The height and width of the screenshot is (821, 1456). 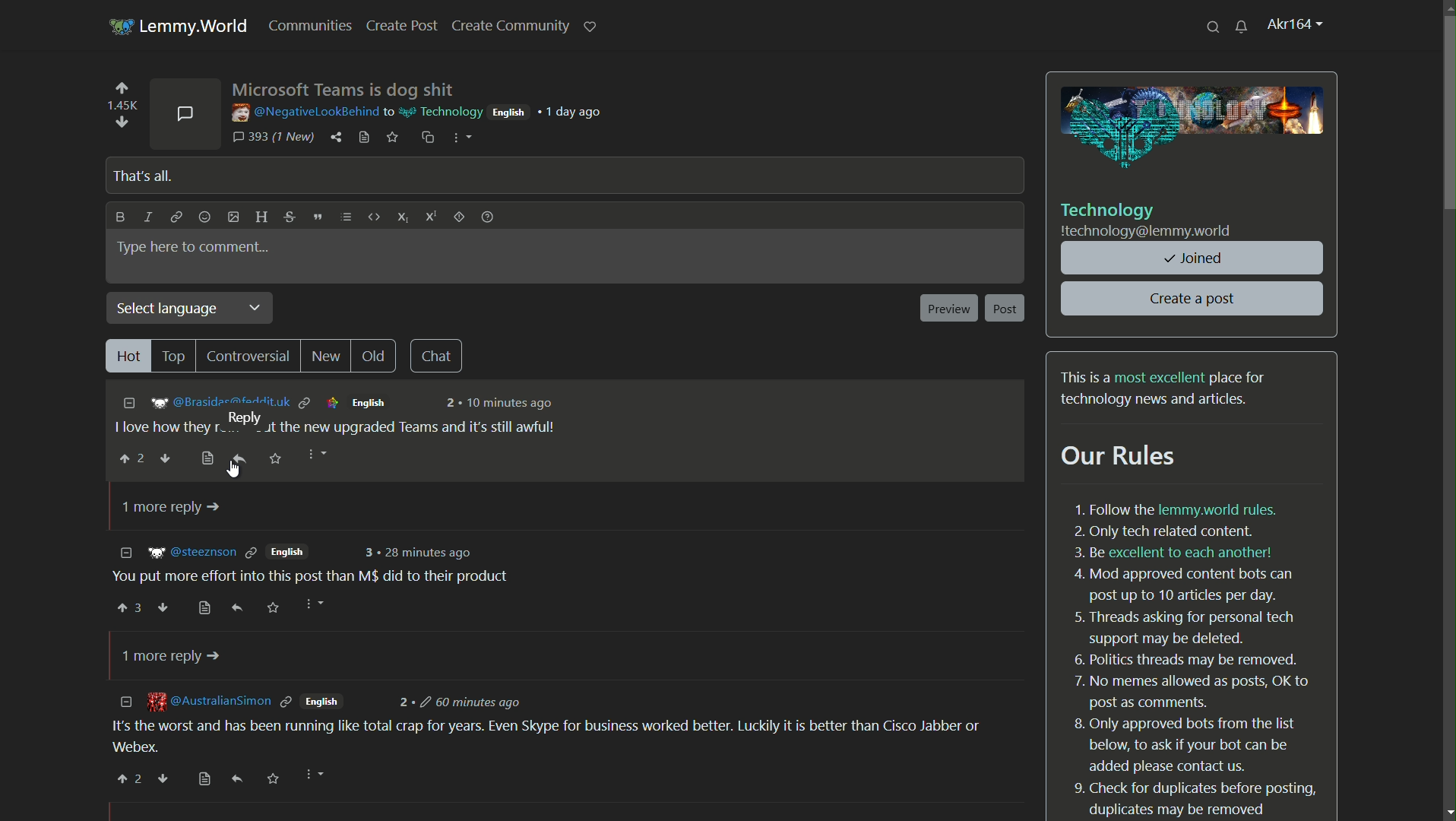 I want to click on type here to comment, so click(x=194, y=247).